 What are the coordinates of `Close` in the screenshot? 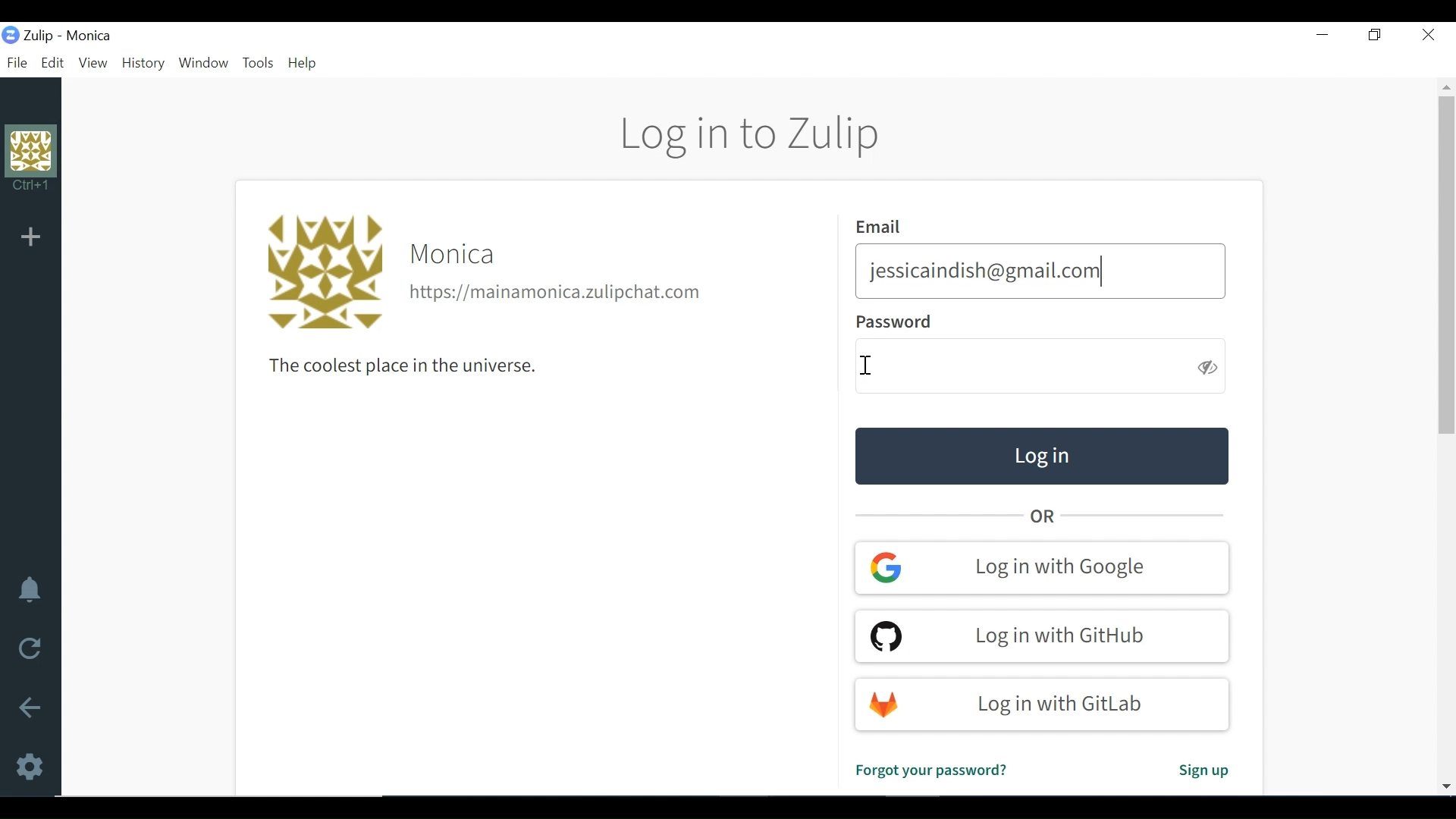 It's located at (1426, 33).